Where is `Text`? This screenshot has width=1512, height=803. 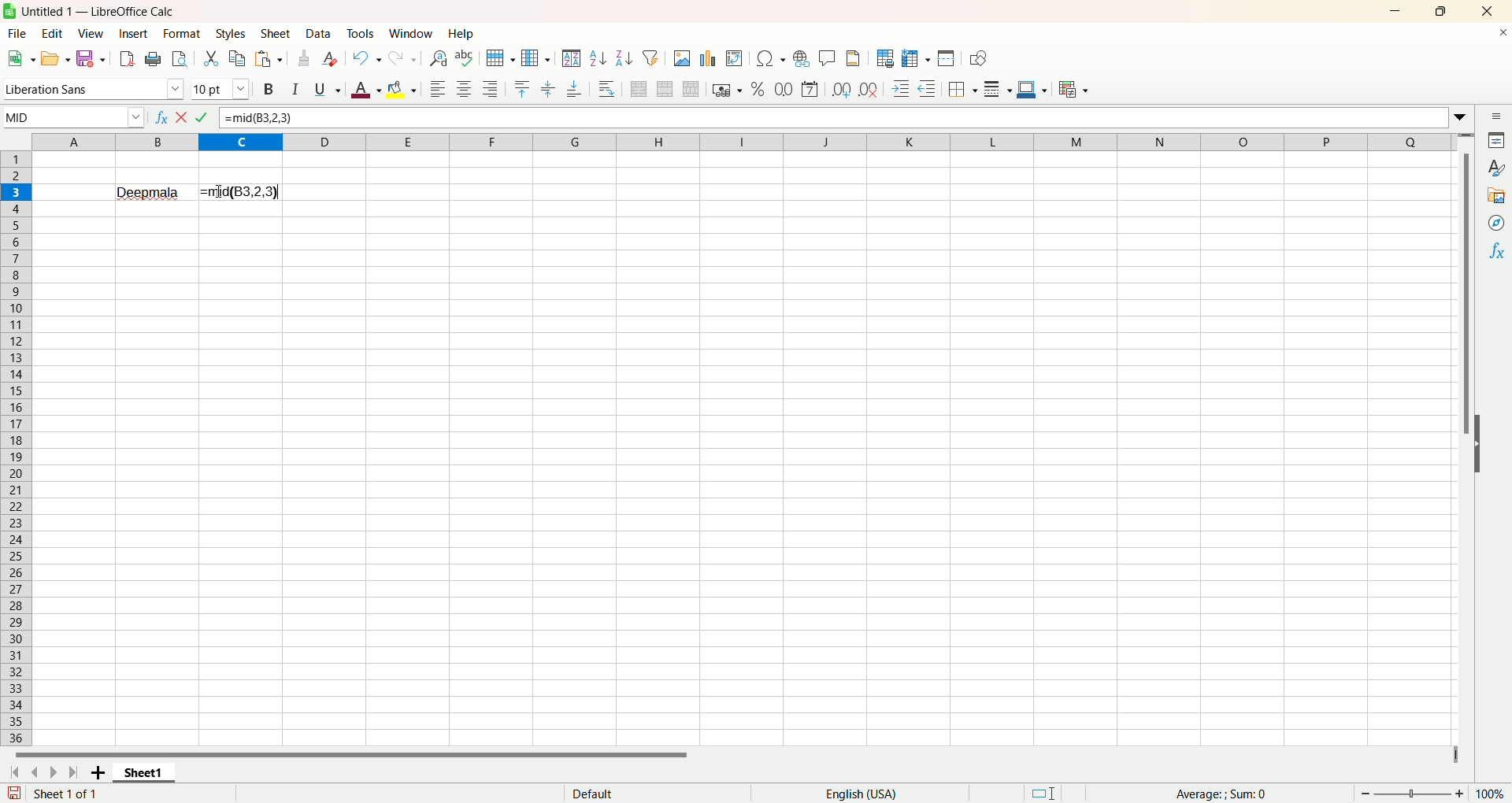
Text is located at coordinates (593, 792).